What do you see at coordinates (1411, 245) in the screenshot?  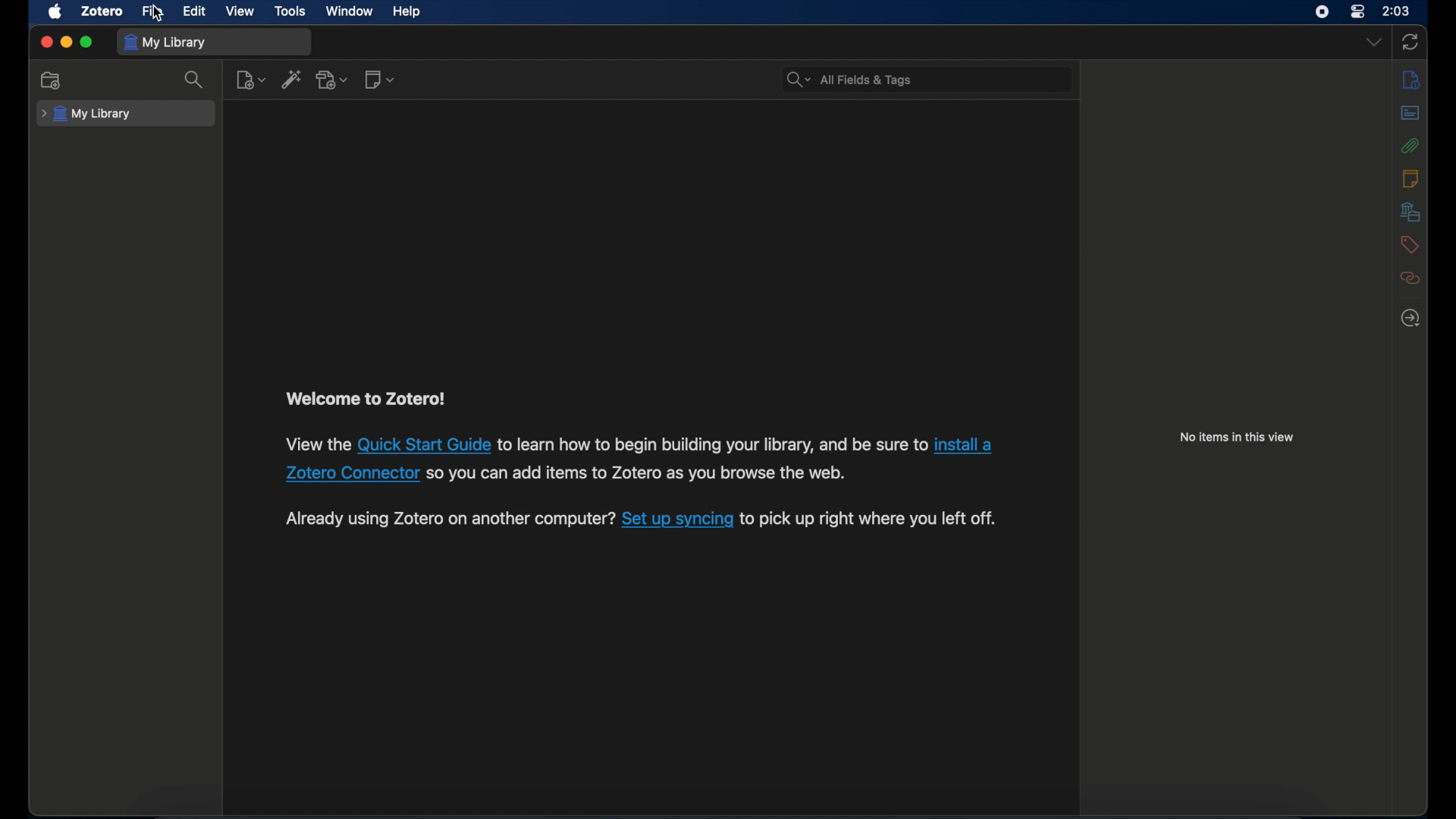 I see `tags` at bounding box center [1411, 245].